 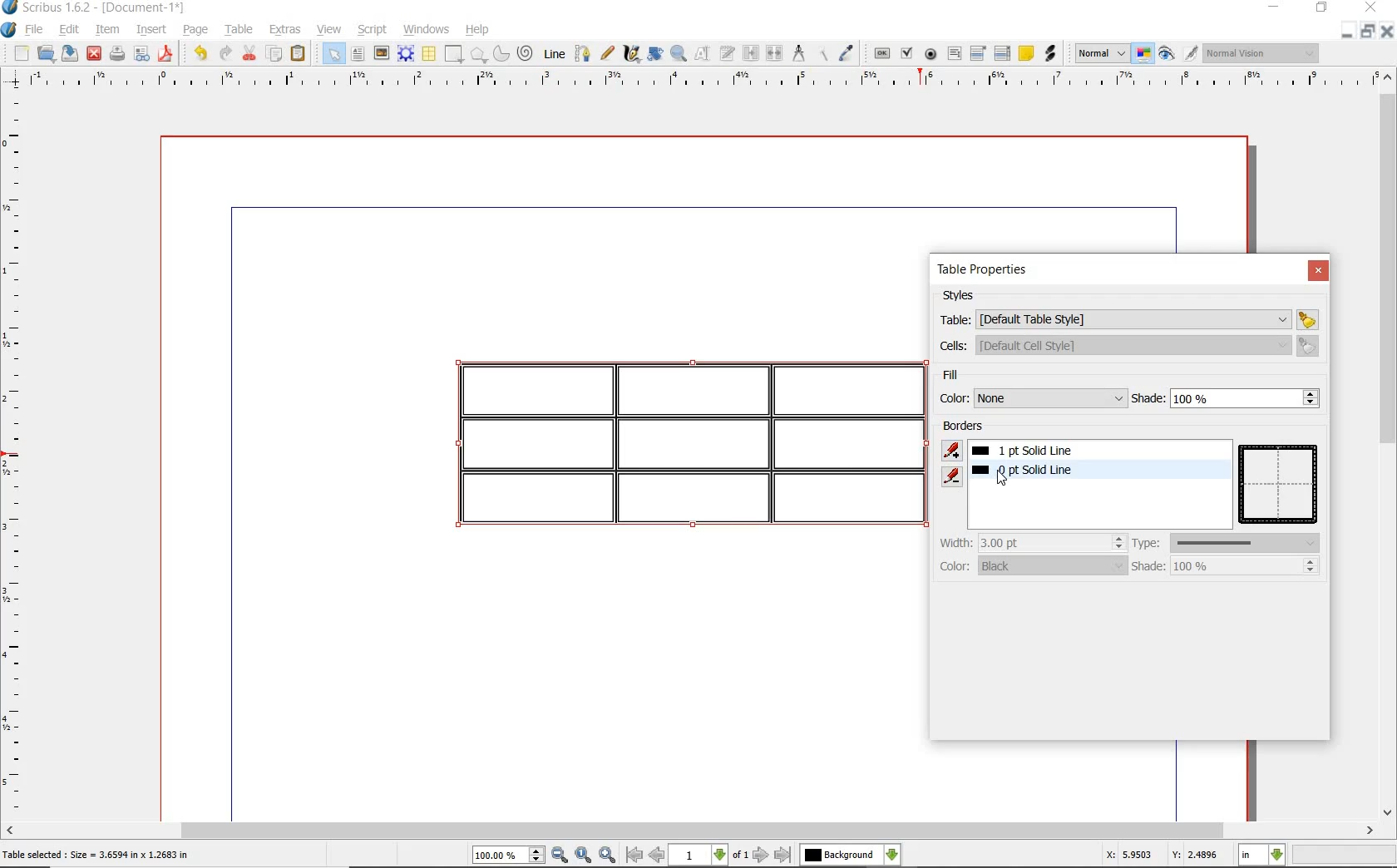 I want to click on copy item properties, so click(x=827, y=53).